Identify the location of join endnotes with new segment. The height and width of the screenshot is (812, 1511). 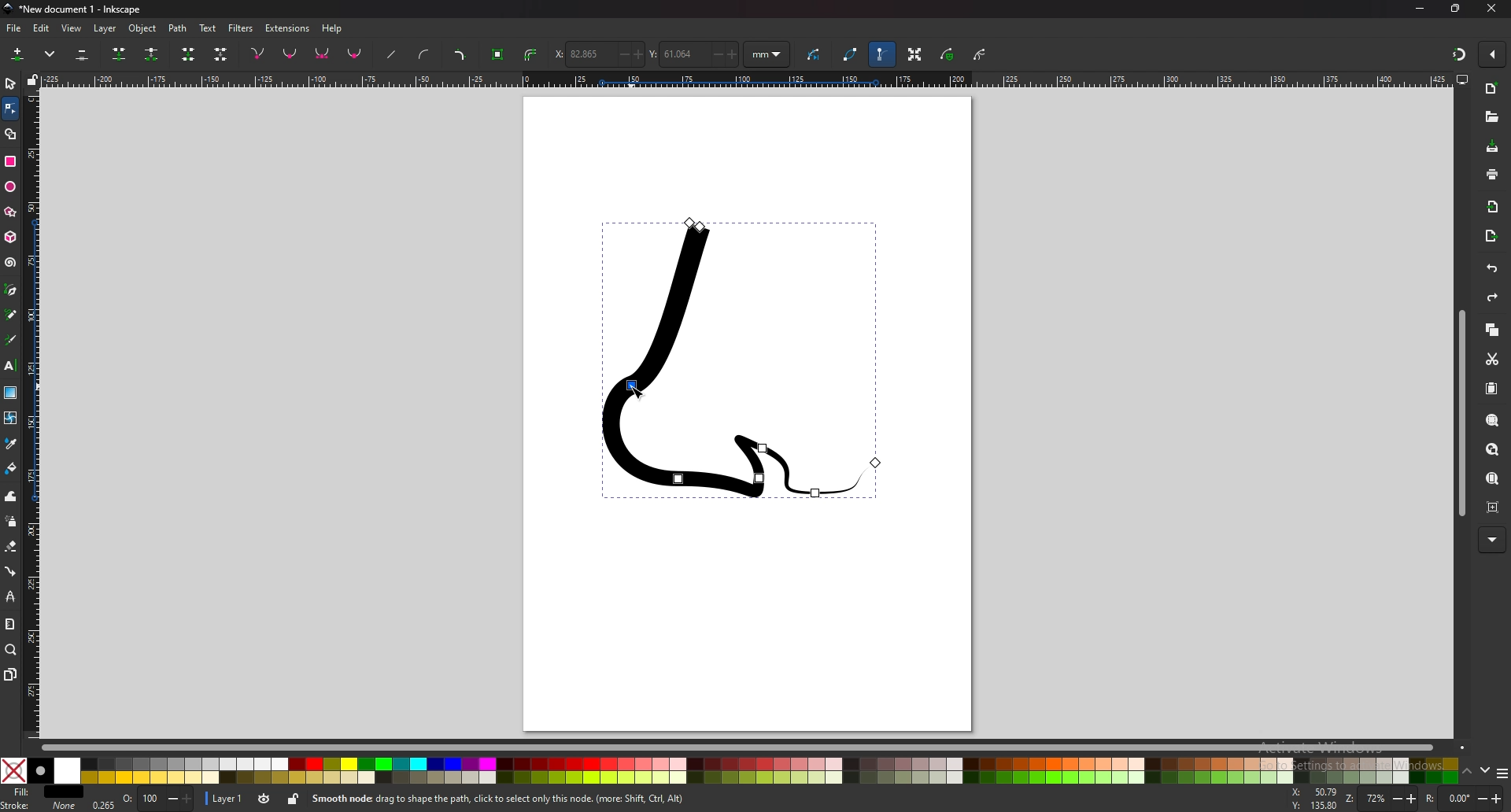
(187, 56).